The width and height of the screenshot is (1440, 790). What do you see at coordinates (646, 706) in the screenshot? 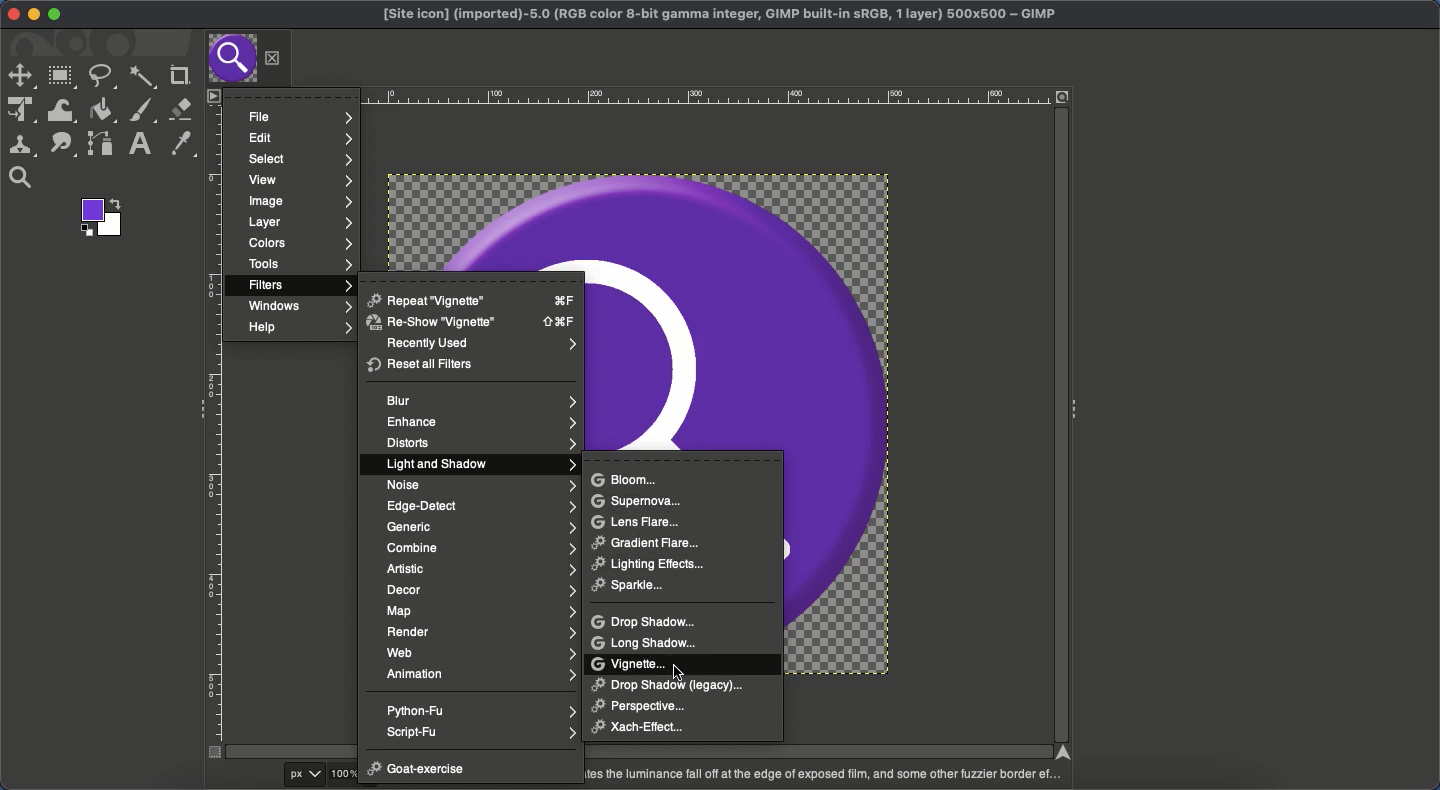
I see `Perspective` at bounding box center [646, 706].